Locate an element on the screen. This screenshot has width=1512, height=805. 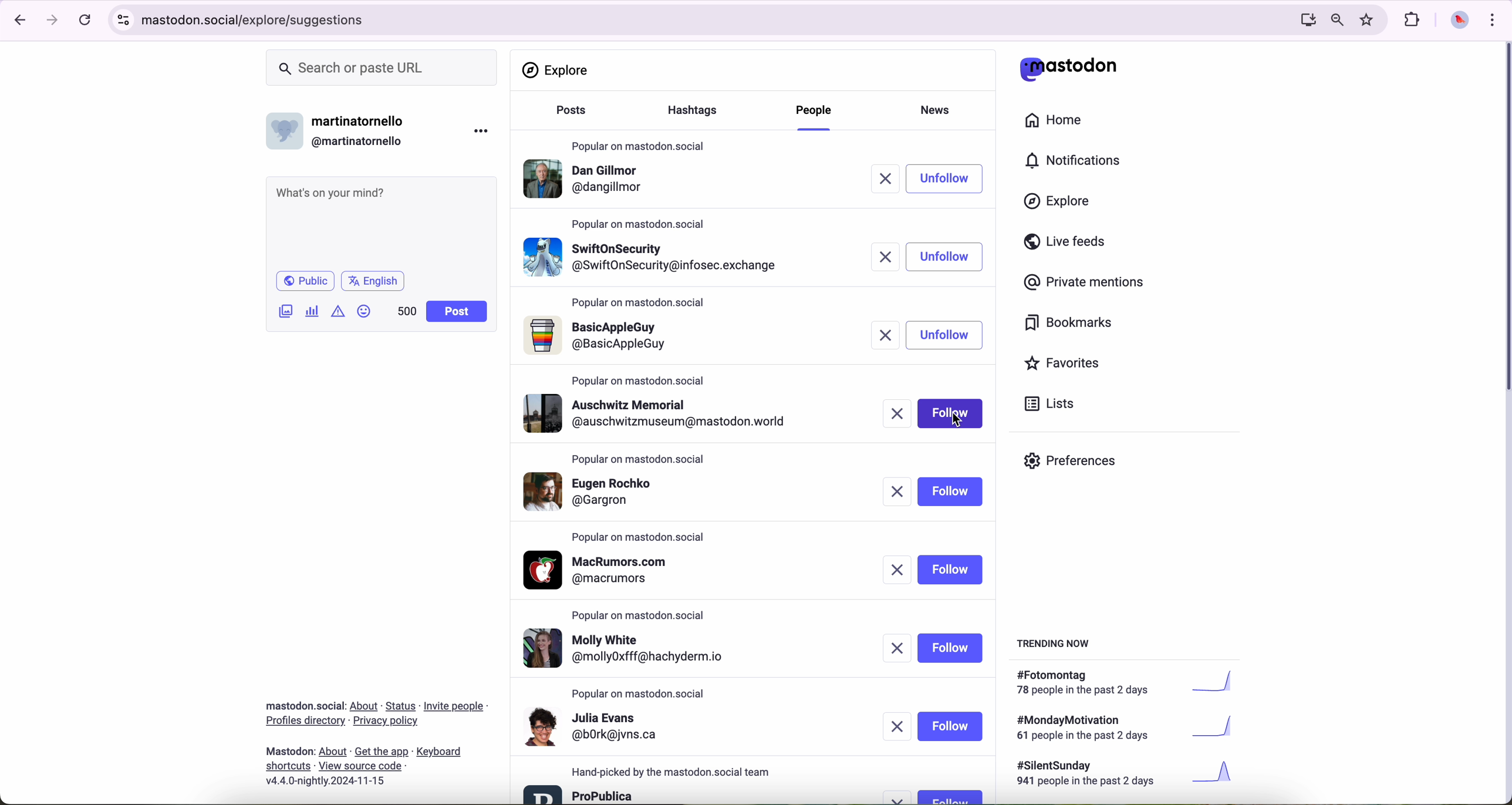
follow button is located at coordinates (950, 570).